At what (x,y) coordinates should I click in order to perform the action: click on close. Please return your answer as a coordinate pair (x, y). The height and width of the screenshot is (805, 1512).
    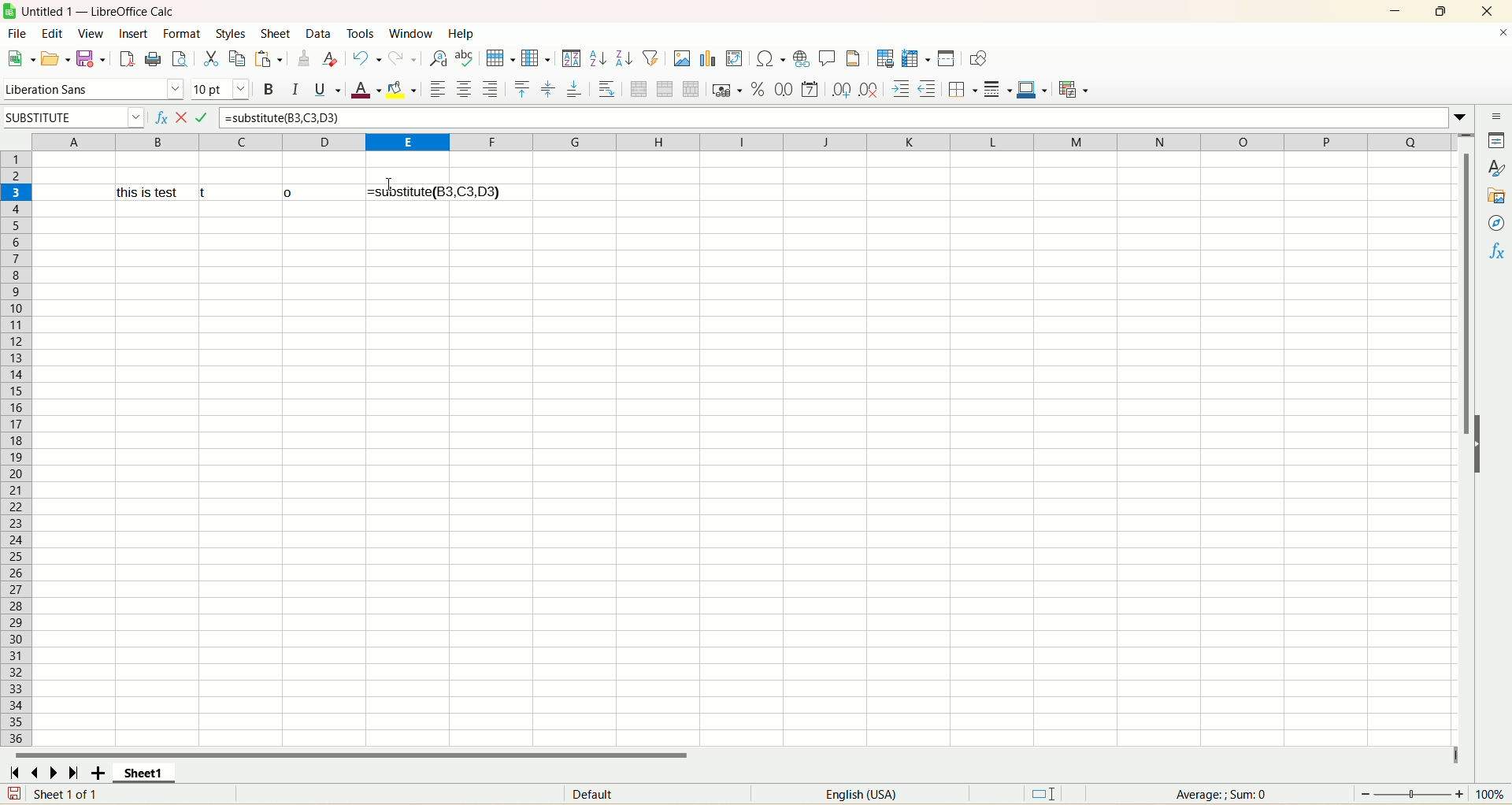
    Looking at the image, I should click on (1495, 35).